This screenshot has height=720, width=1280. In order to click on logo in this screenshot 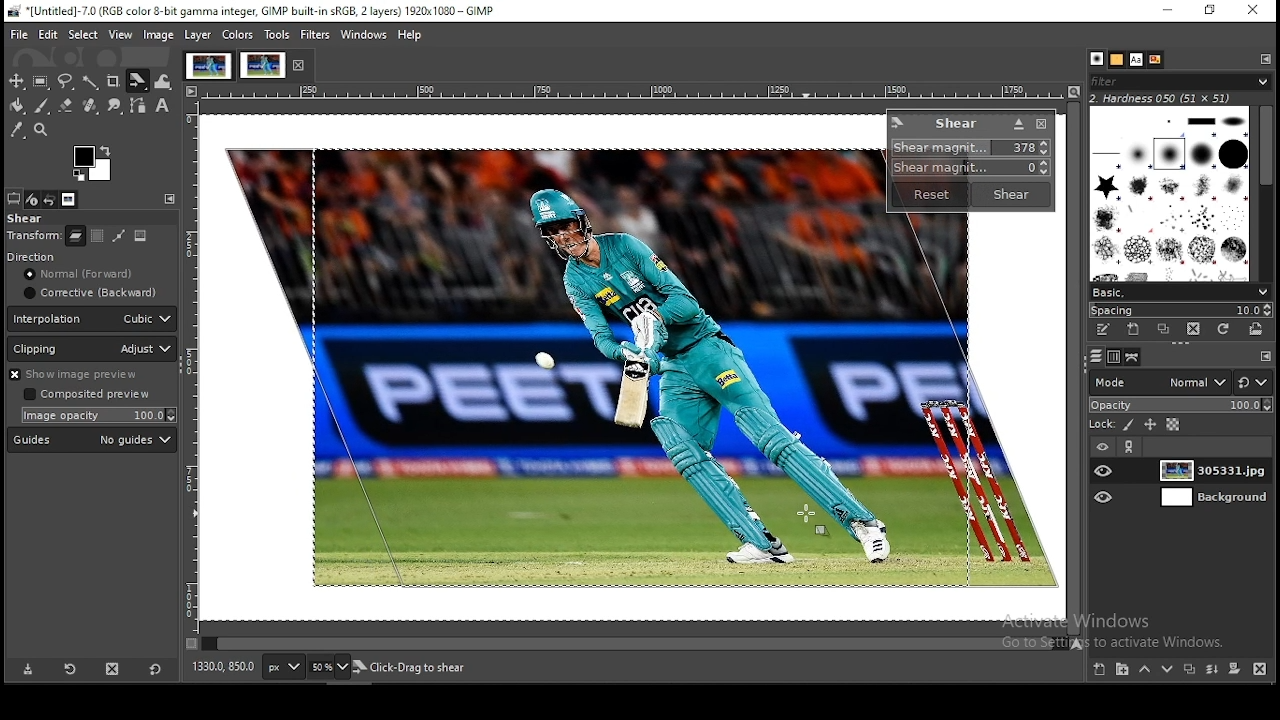, I will do `click(898, 122)`.